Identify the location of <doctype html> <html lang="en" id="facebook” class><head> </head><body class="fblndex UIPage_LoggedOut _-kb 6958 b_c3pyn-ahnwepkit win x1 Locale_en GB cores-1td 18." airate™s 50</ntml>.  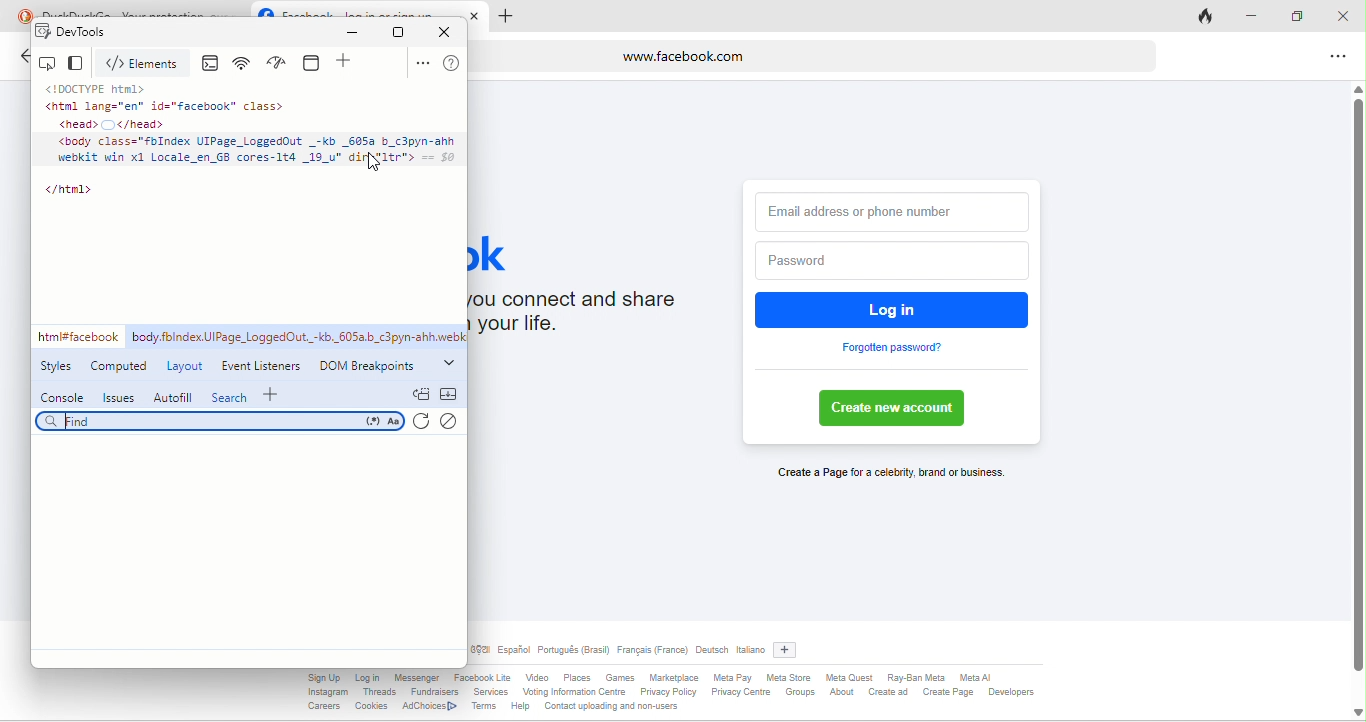
(251, 145).